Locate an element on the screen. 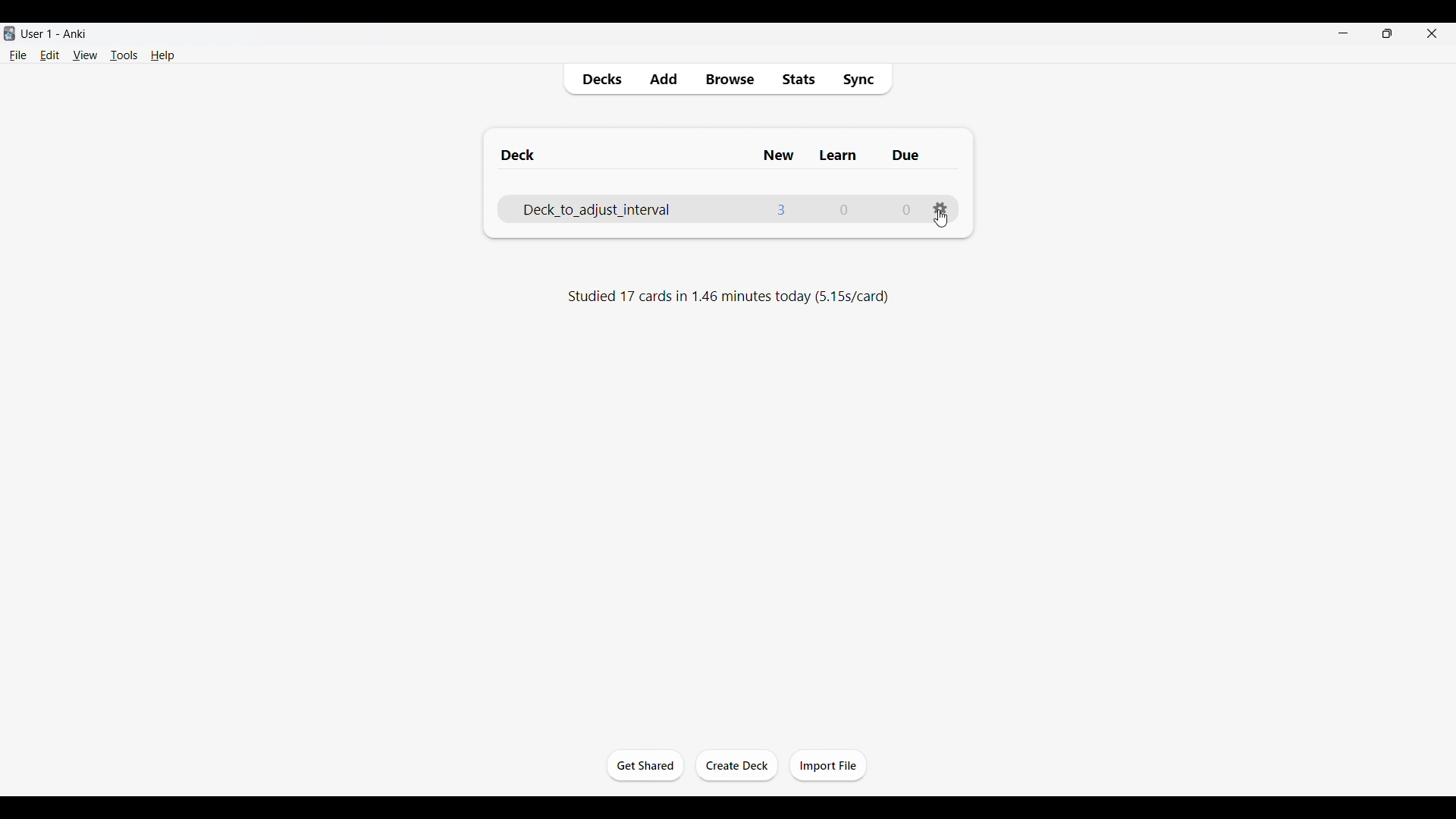 This screenshot has height=819, width=1456. Edit menu is located at coordinates (50, 56).